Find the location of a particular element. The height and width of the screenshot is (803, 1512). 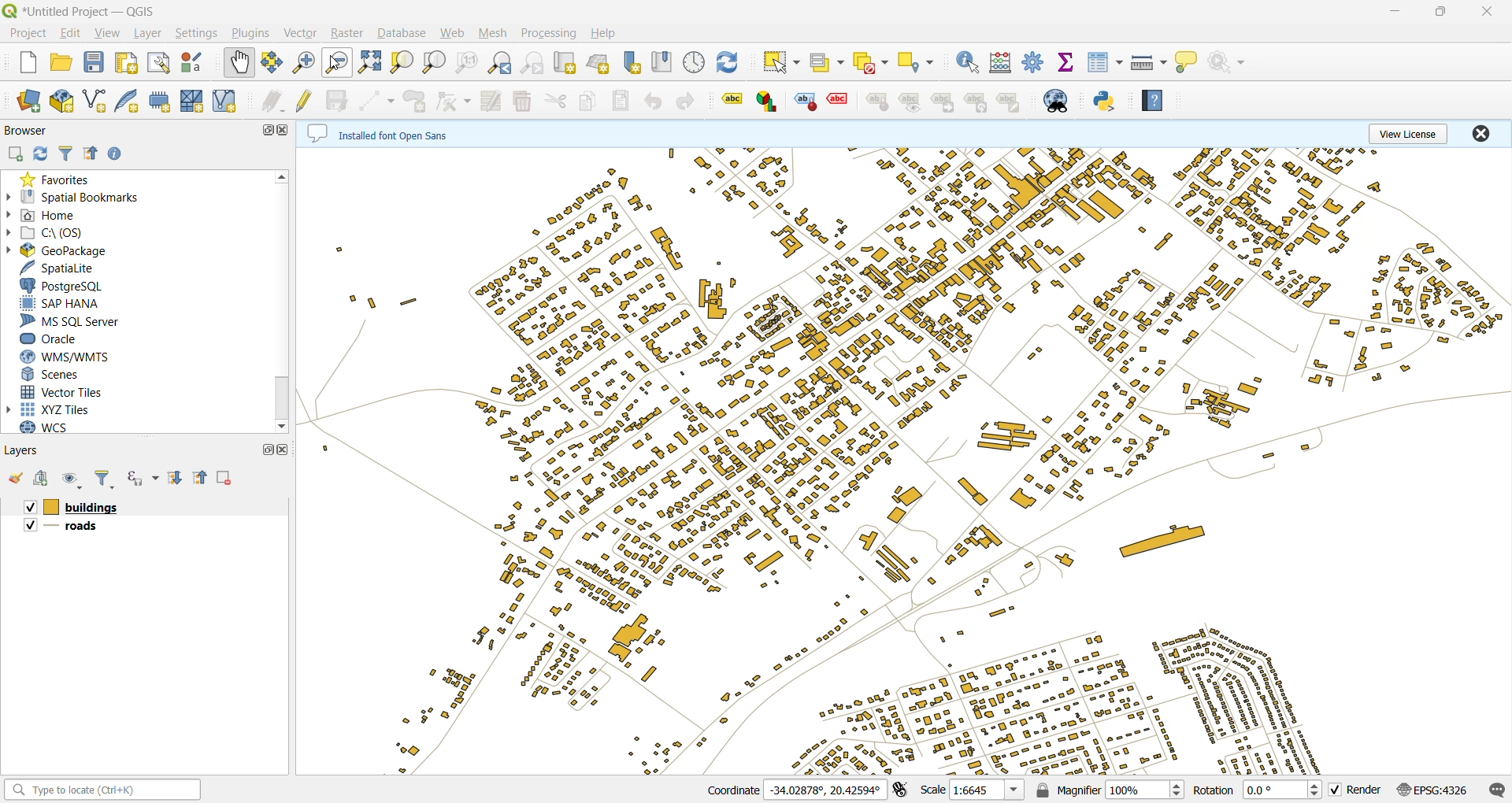

toggle edits is located at coordinates (306, 101).